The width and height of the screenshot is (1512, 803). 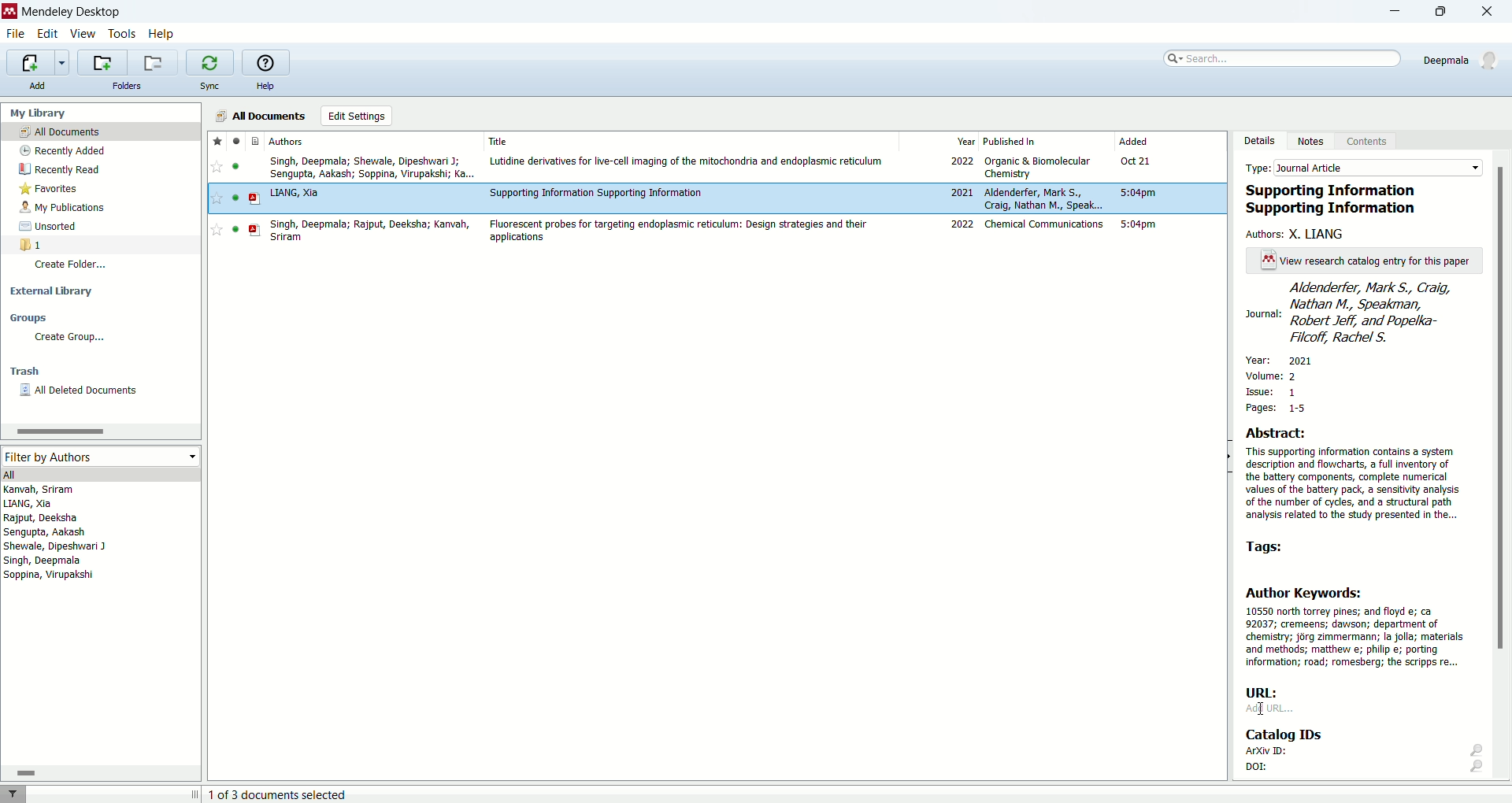 What do you see at coordinates (1270, 709) in the screenshot?
I see `add URL` at bounding box center [1270, 709].